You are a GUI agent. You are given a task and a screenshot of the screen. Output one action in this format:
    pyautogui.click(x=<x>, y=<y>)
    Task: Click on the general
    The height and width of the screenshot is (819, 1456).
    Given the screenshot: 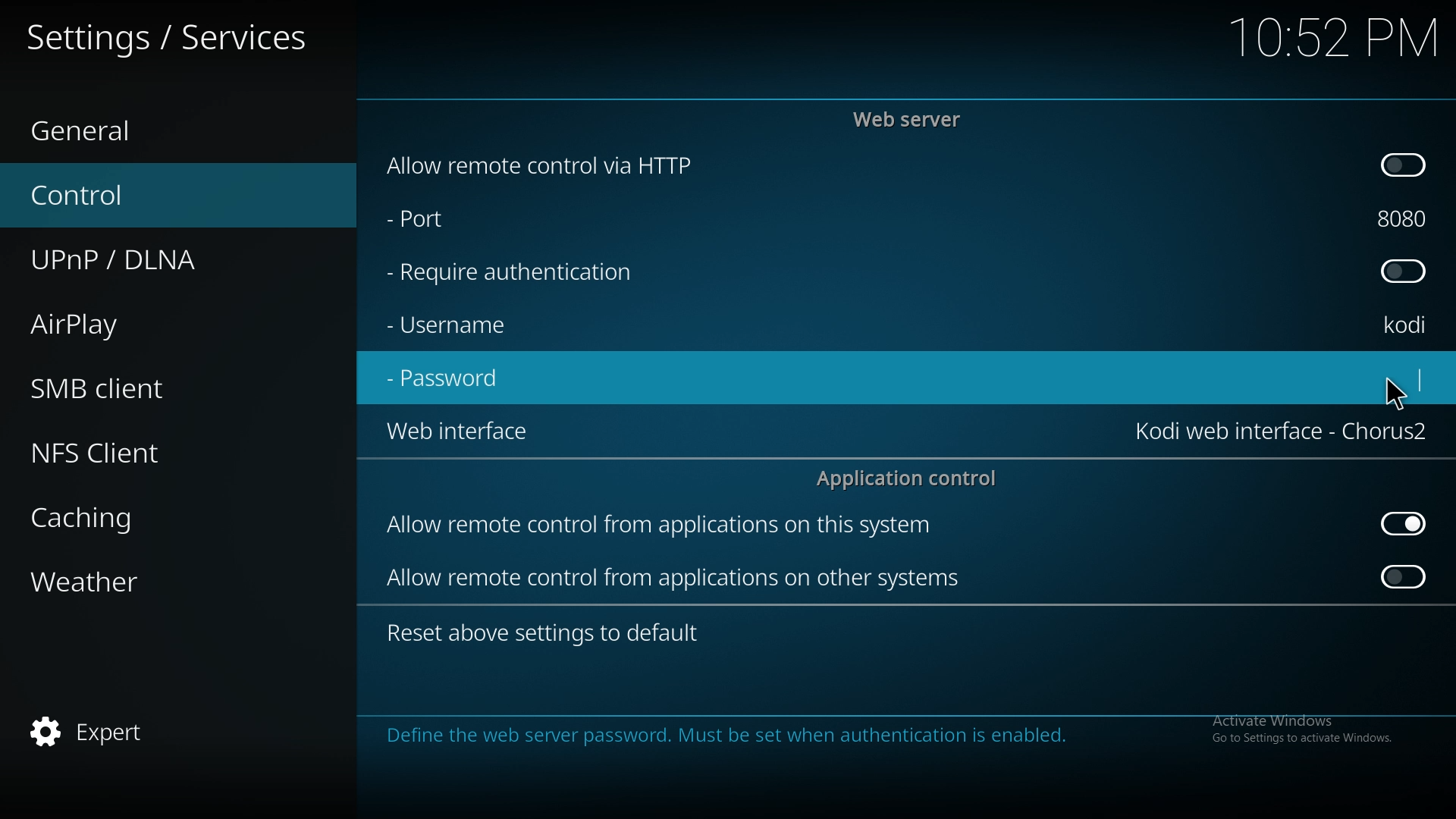 What is the action you would take?
    pyautogui.click(x=160, y=132)
    